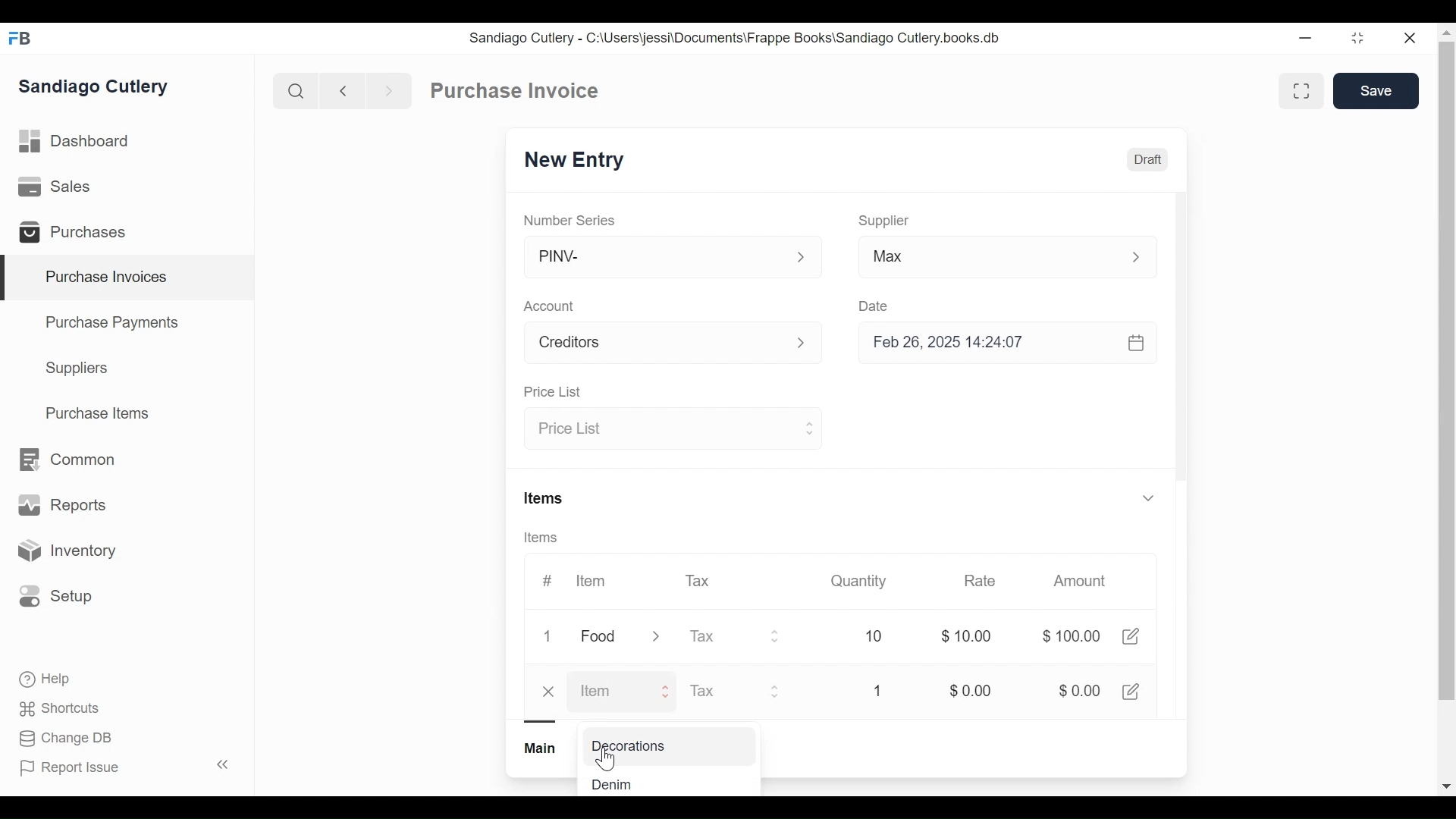  What do you see at coordinates (880, 692) in the screenshot?
I see `1` at bounding box center [880, 692].